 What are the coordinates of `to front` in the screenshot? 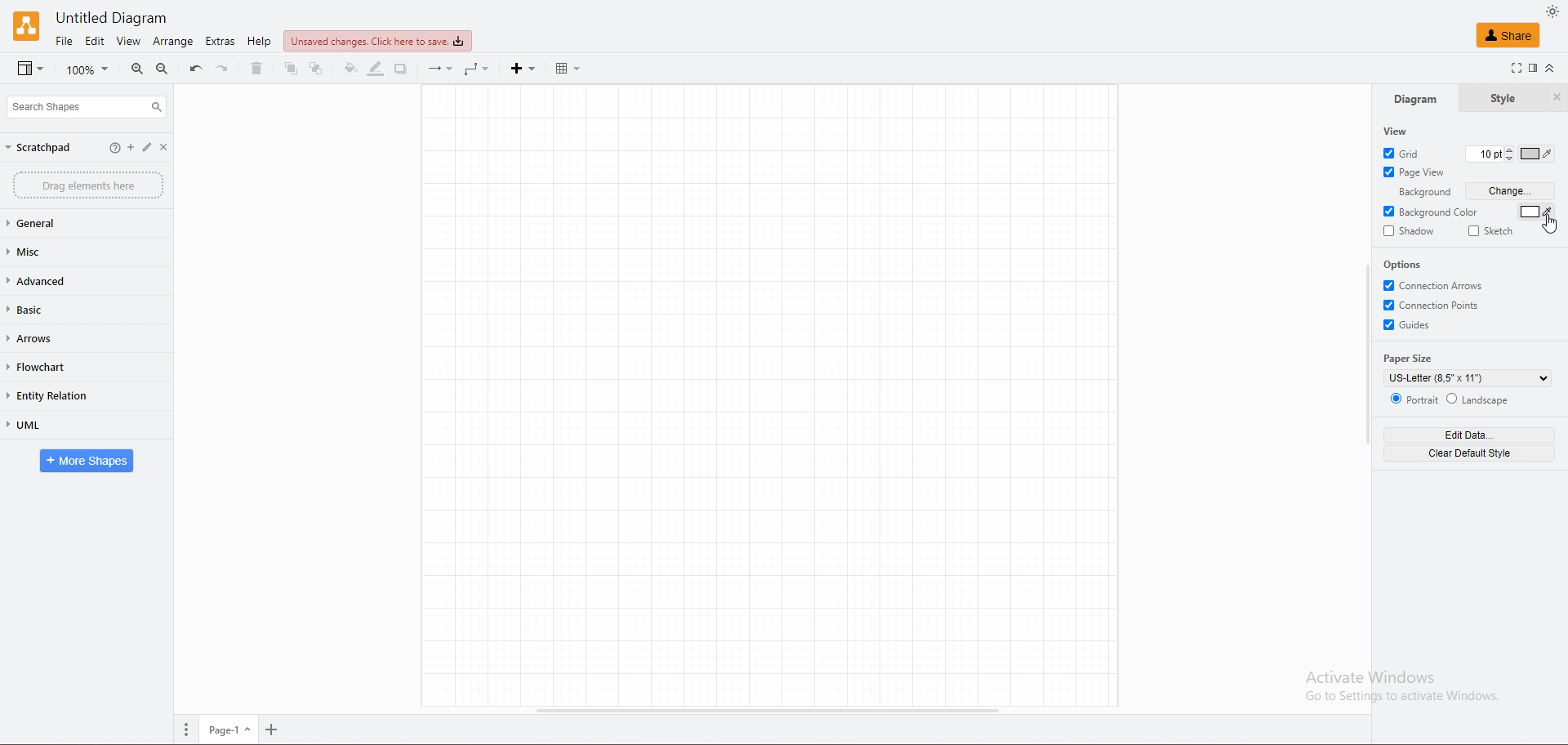 It's located at (293, 69).